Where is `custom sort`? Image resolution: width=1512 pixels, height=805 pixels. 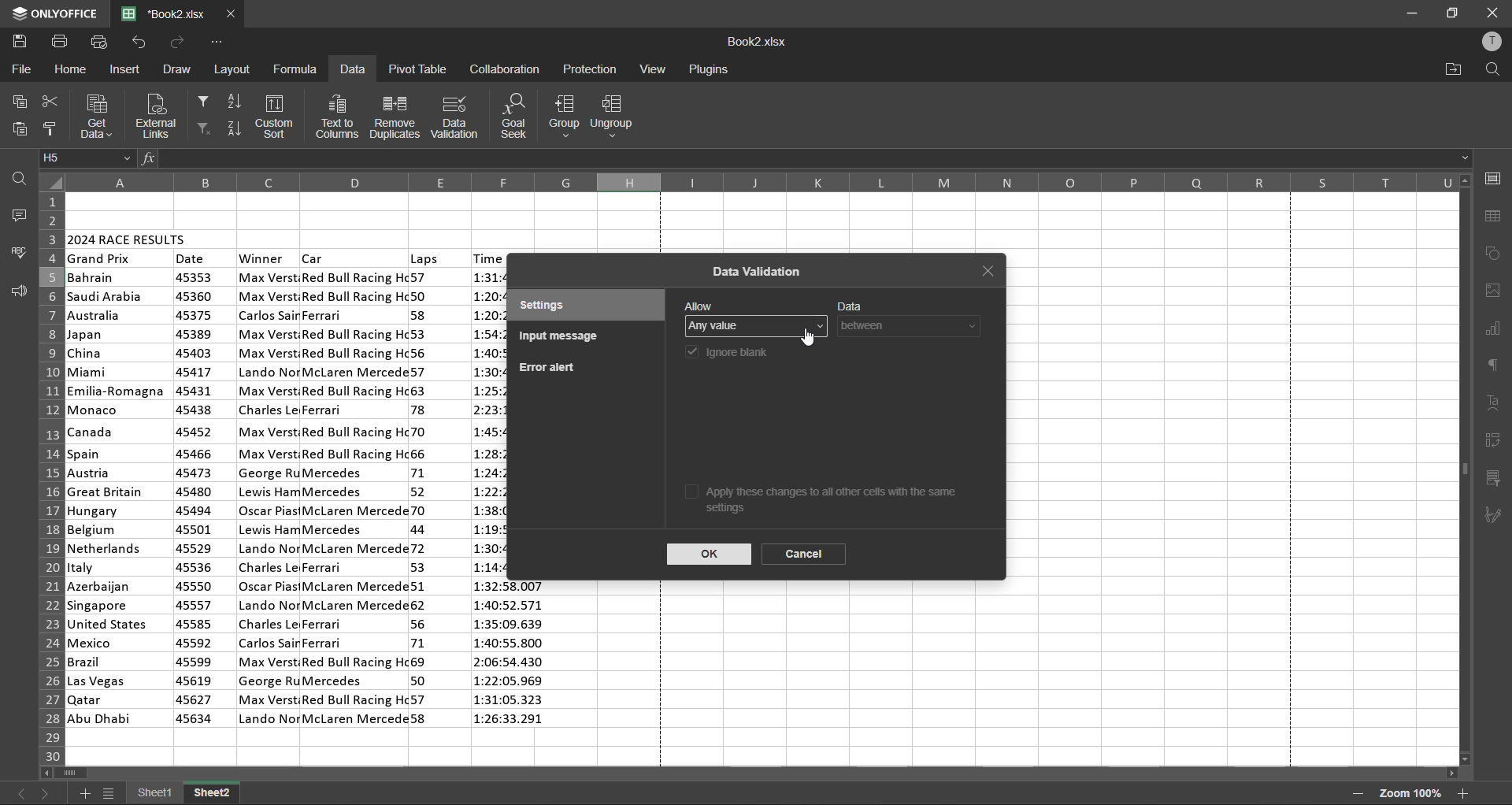
custom sort is located at coordinates (278, 117).